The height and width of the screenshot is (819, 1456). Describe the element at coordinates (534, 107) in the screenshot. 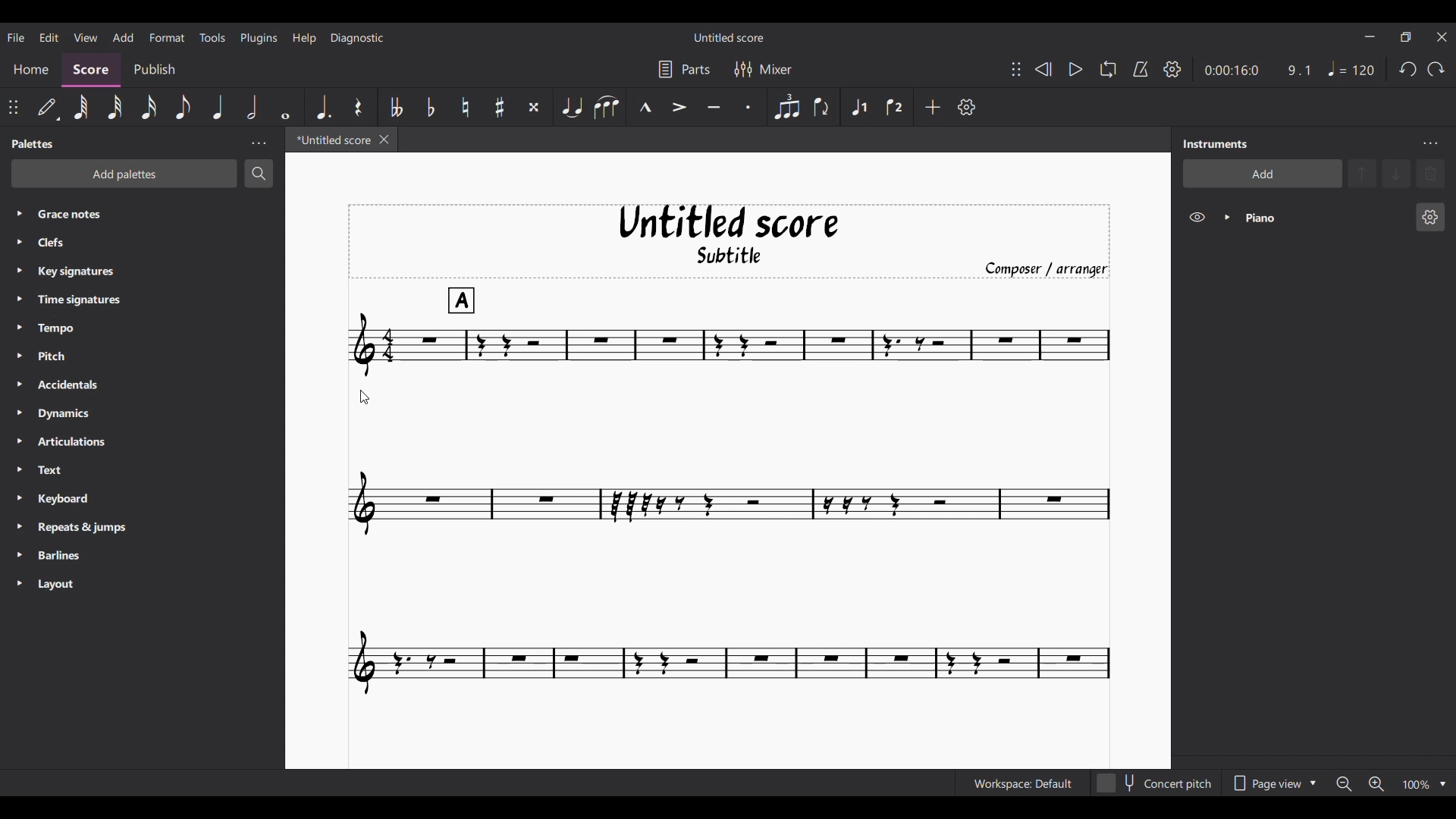

I see `Toggle double sharp` at that location.